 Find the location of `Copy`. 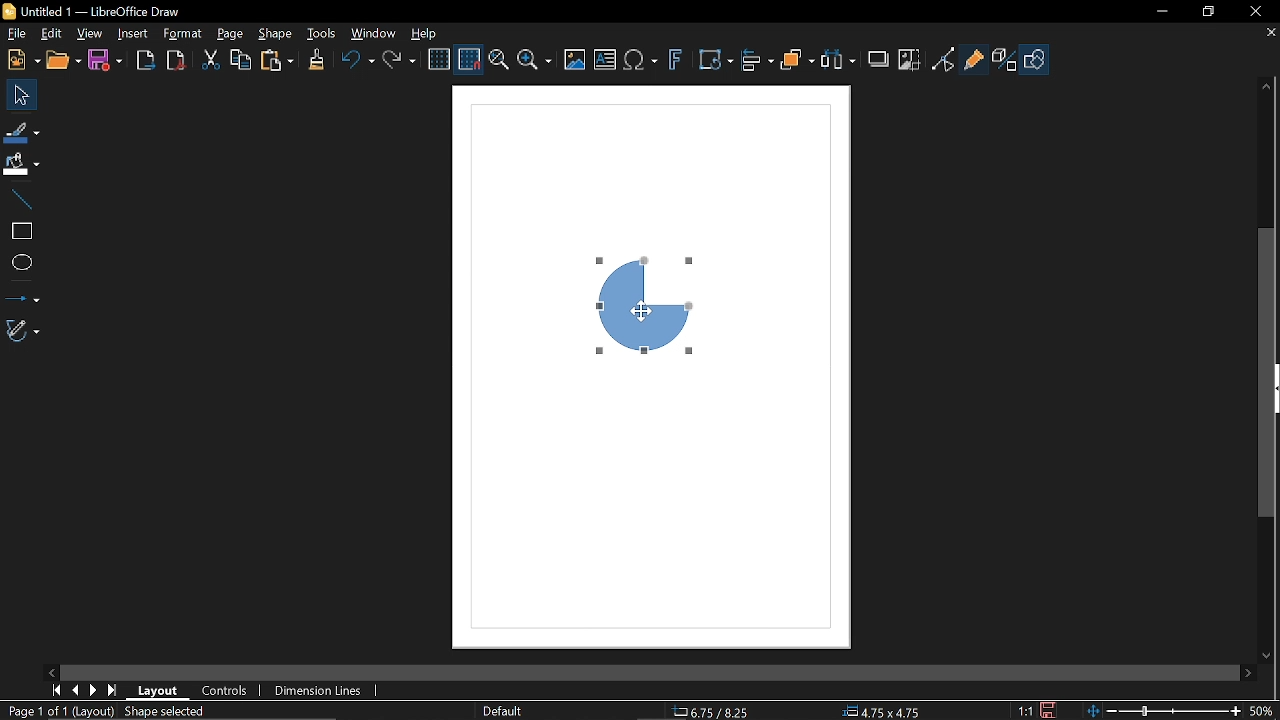

Copy is located at coordinates (241, 59).